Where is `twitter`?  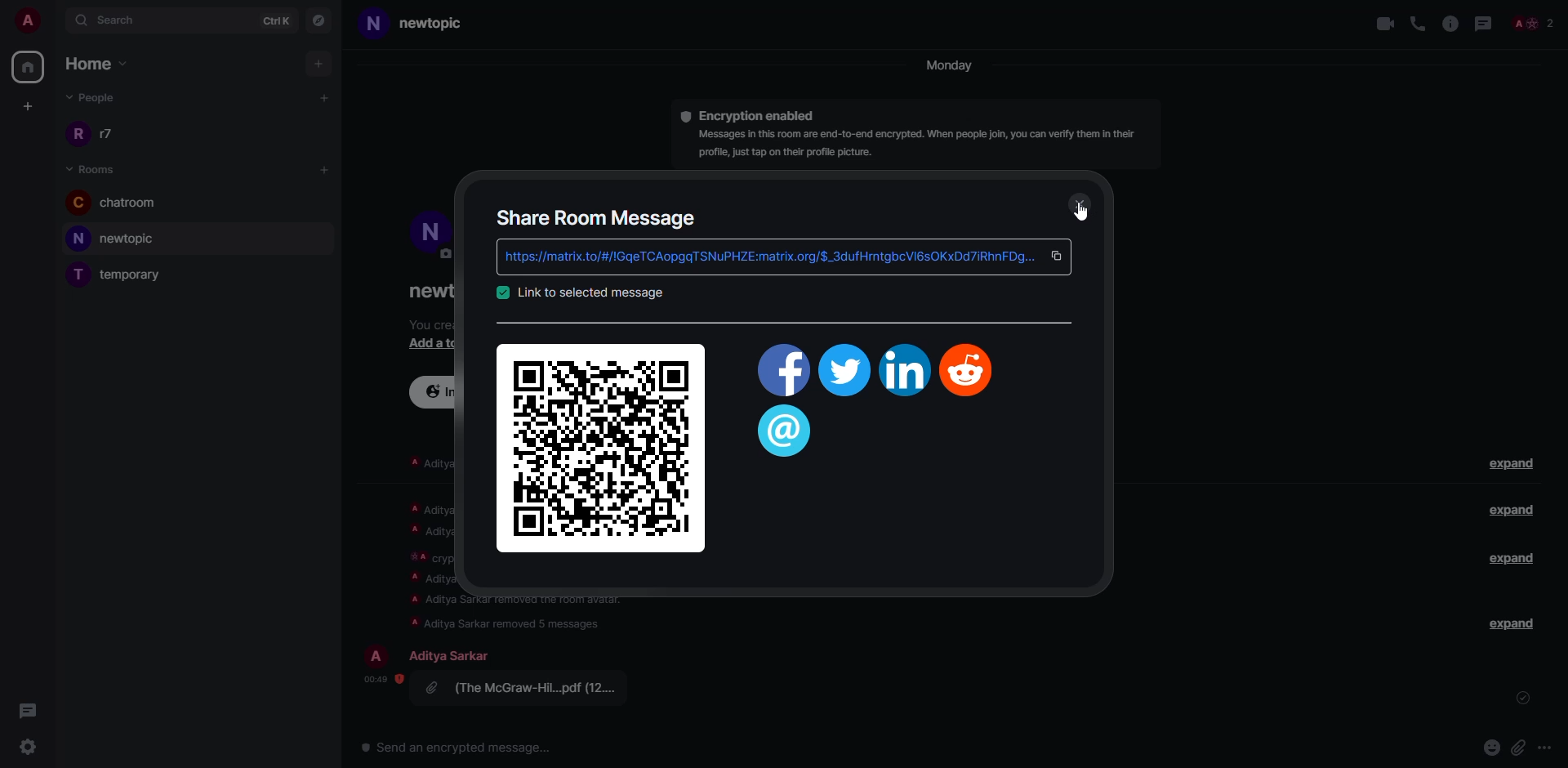
twitter is located at coordinates (844, 373).